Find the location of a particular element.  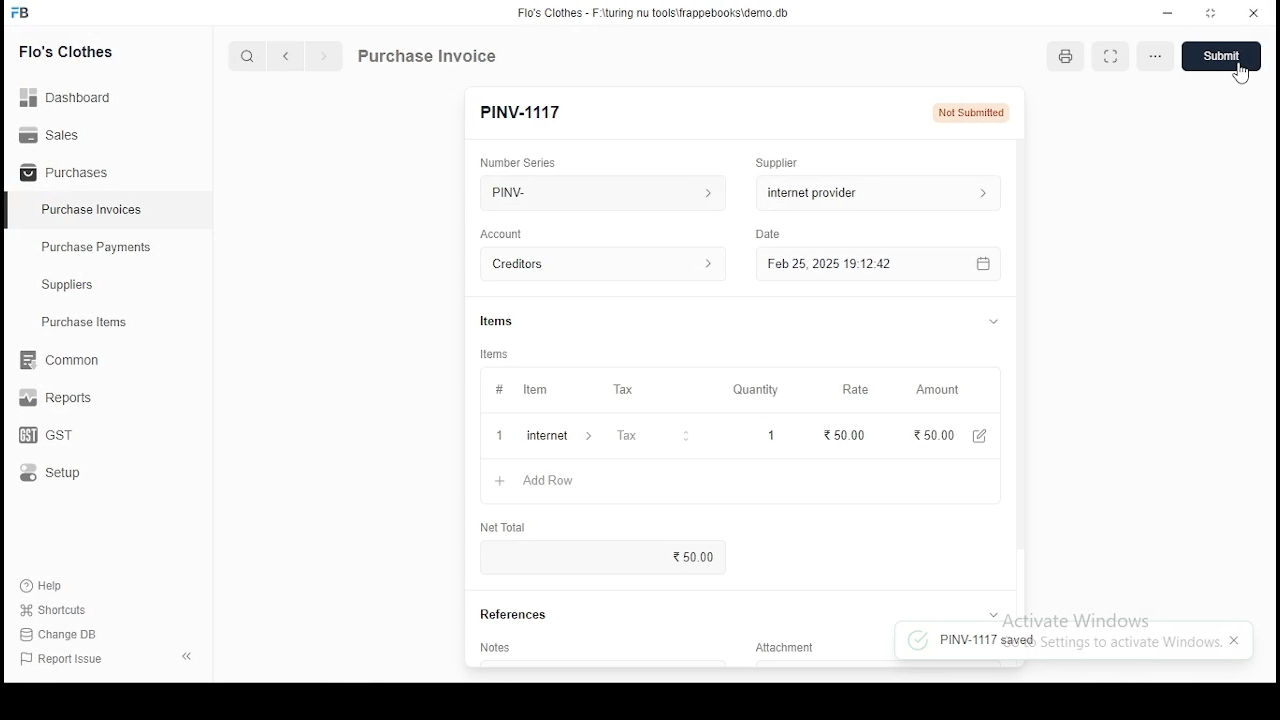

close window is located at coordinates (1254, 11).